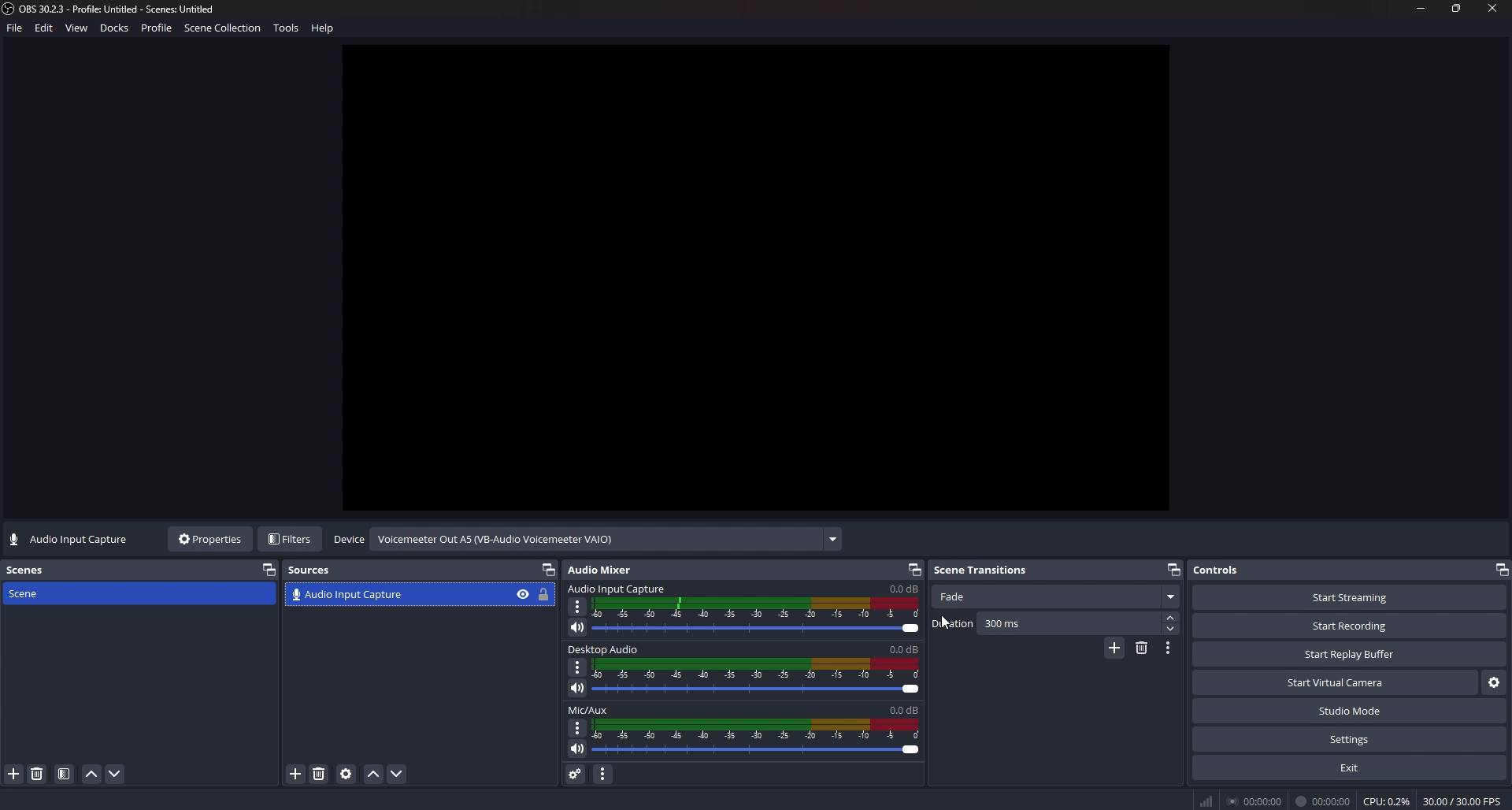 The height and width of the screenshot is (810, 1512). Describe the element at coordinates (902, 649) in the screenshot. I see `volume level` at that location.